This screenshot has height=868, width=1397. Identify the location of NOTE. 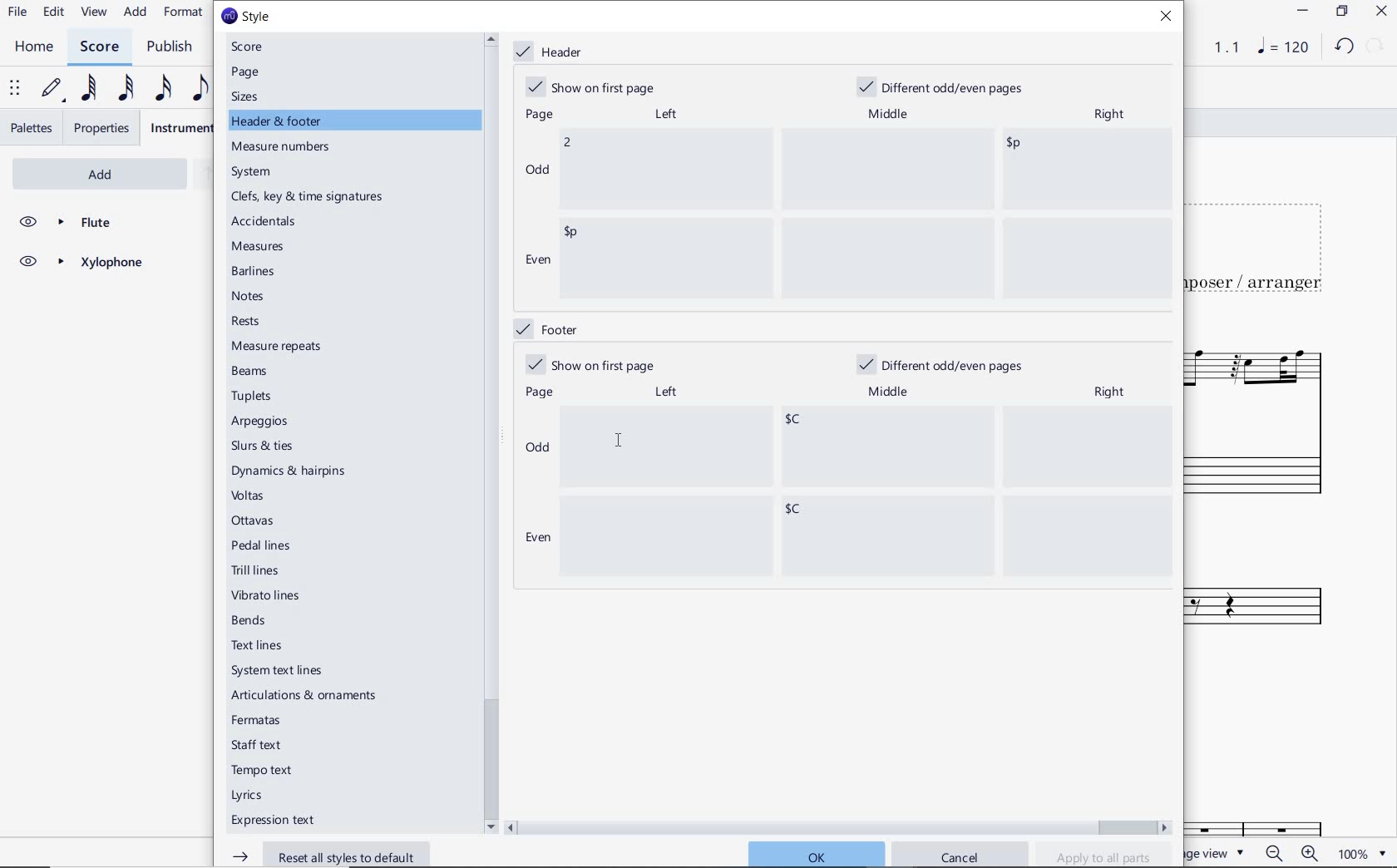
(1281, 48).